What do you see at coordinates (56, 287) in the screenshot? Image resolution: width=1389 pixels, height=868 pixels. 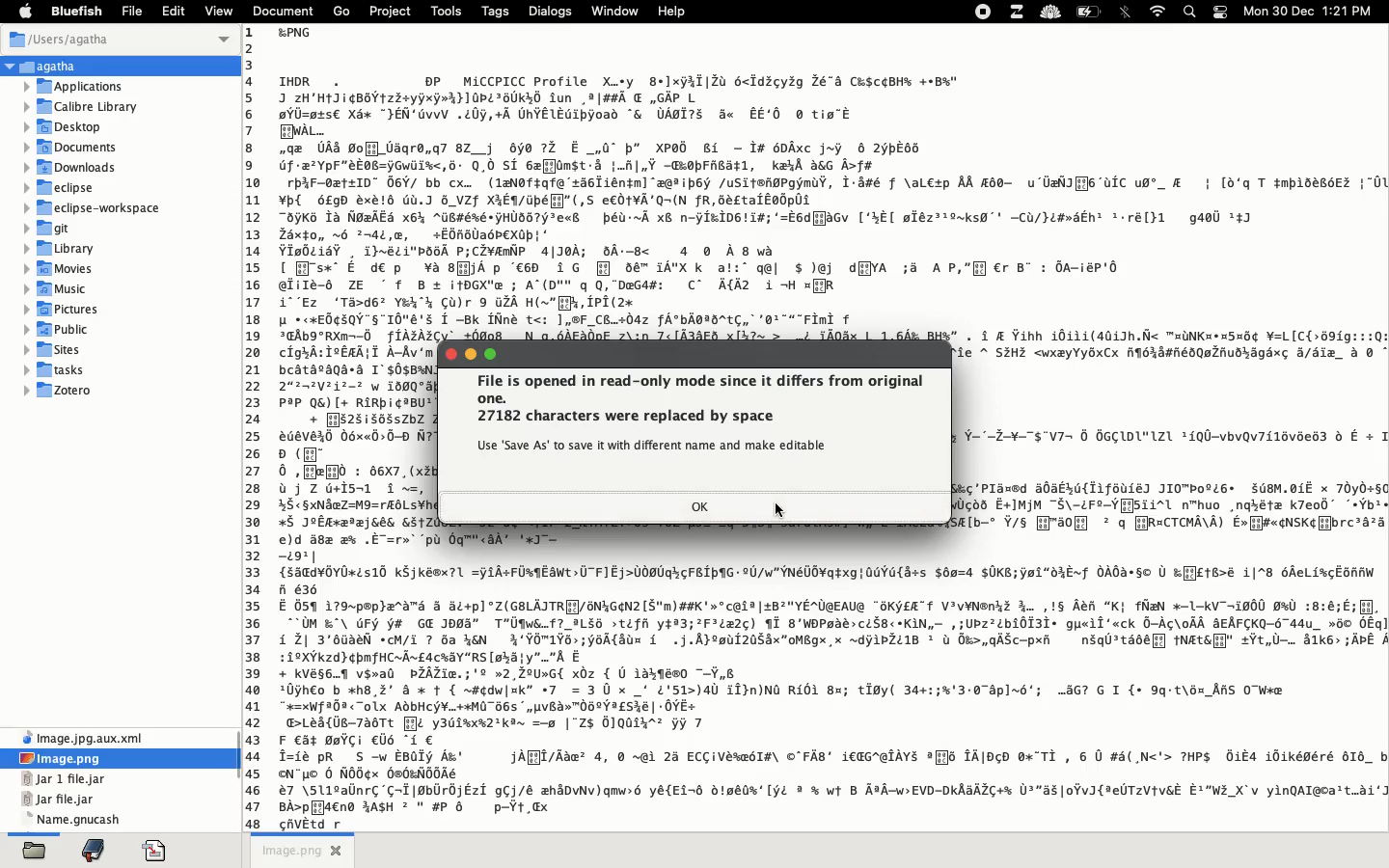 I see `music` at bounding box center [56, 287].